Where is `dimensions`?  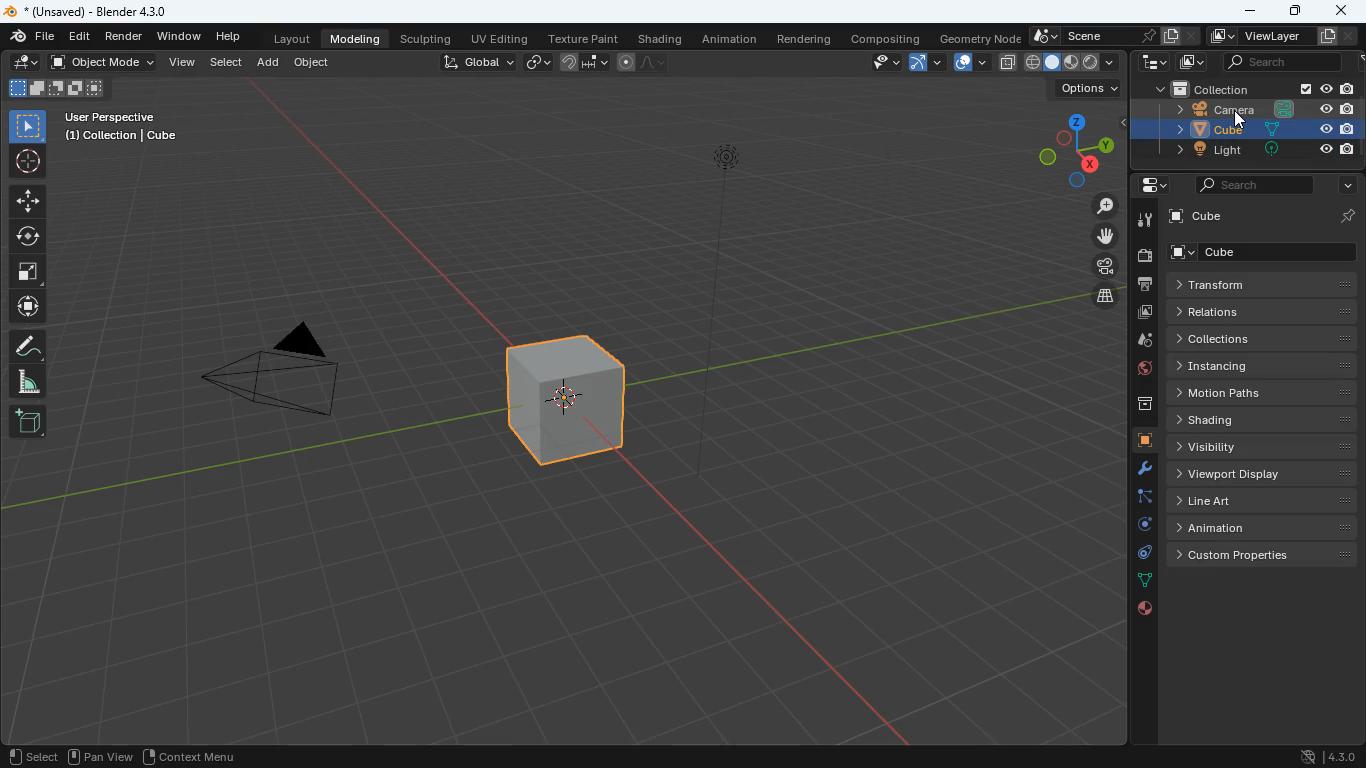
dimensions is located at coordinates (1068, 149).